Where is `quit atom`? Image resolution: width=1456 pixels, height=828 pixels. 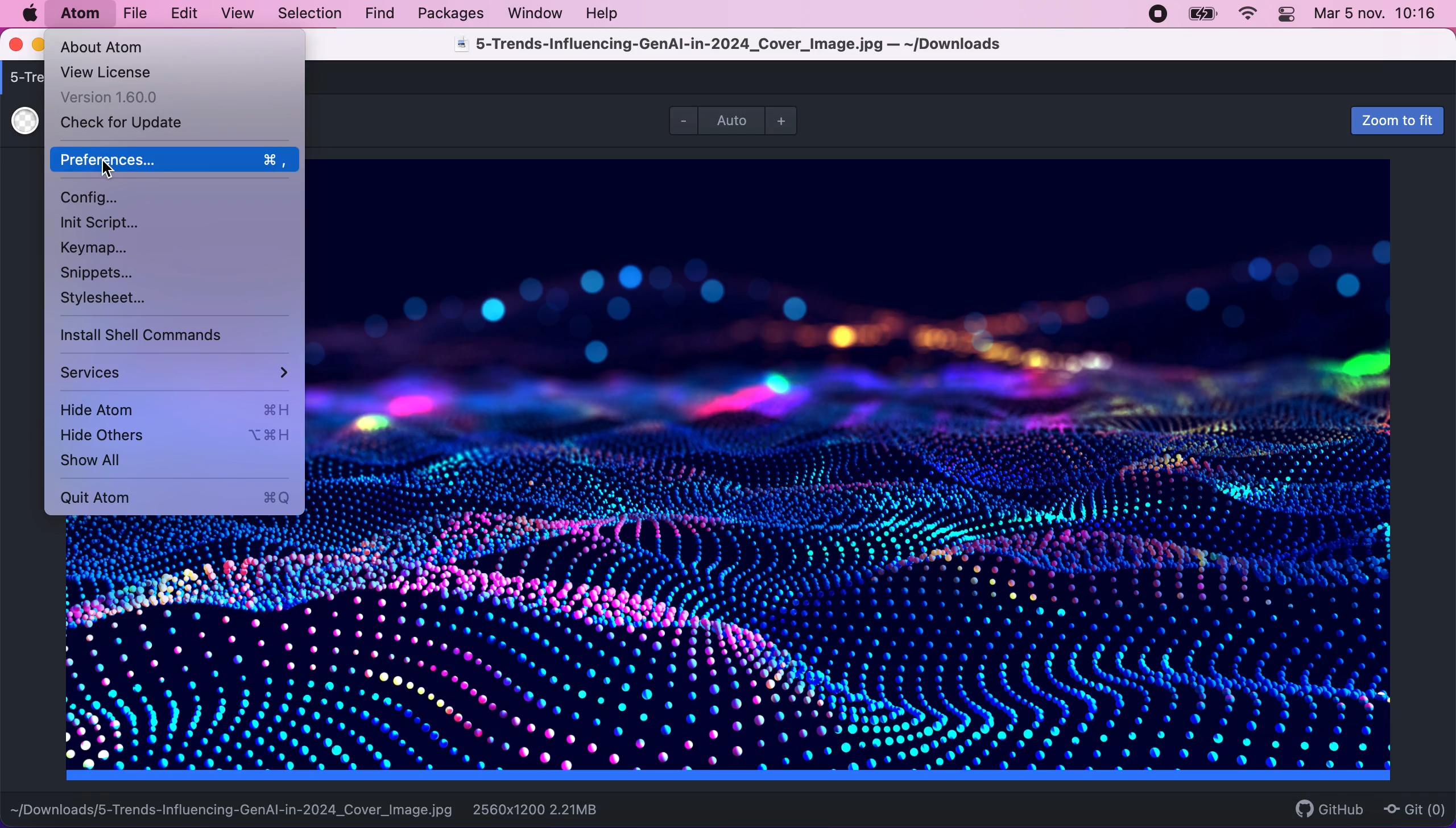 quit atom is located at coordinates (179, 497).